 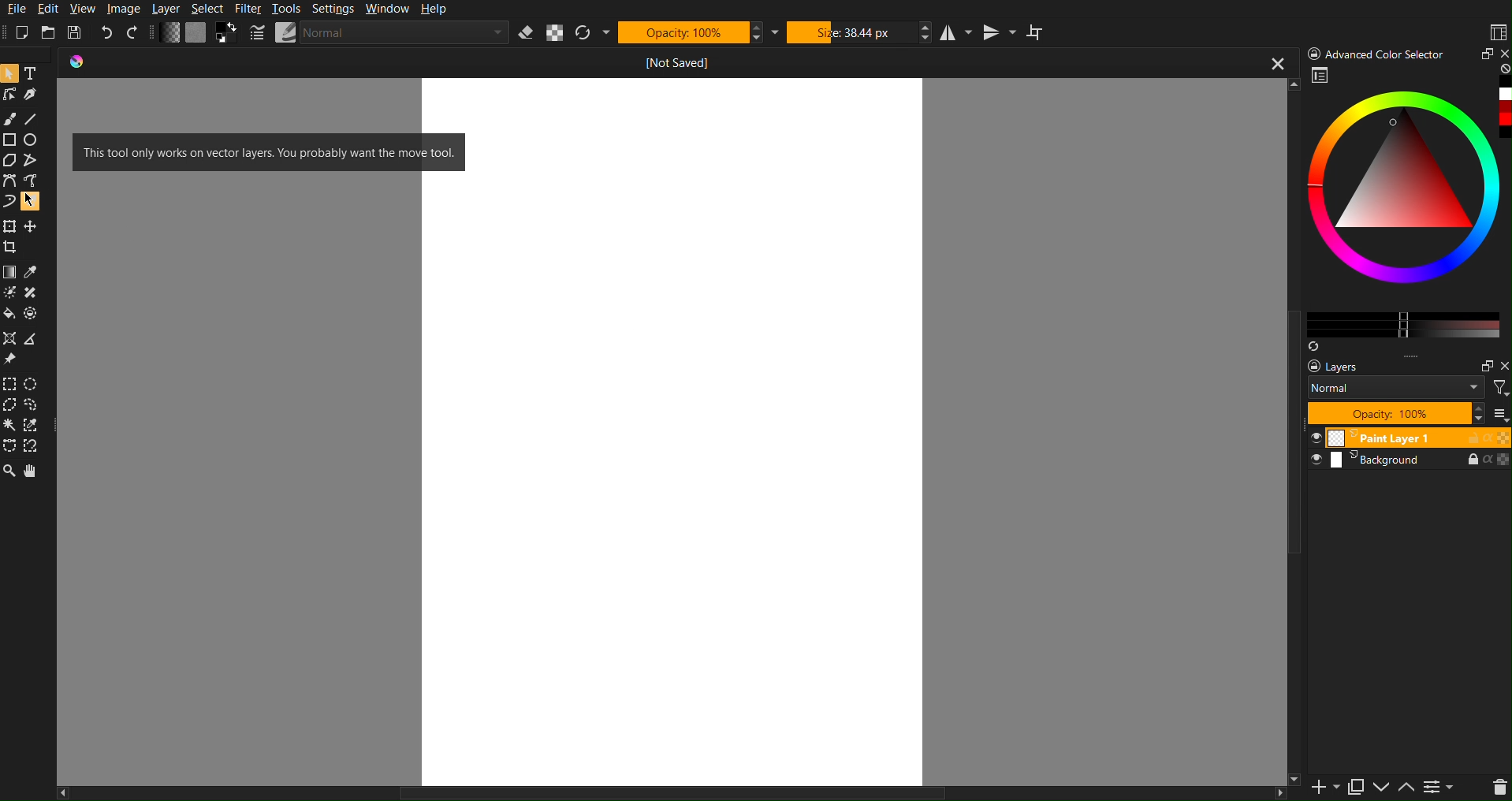 What do you see at coordinates (35, 119) in the screenshot?
I see `Line` at bounding box center [35, 119].